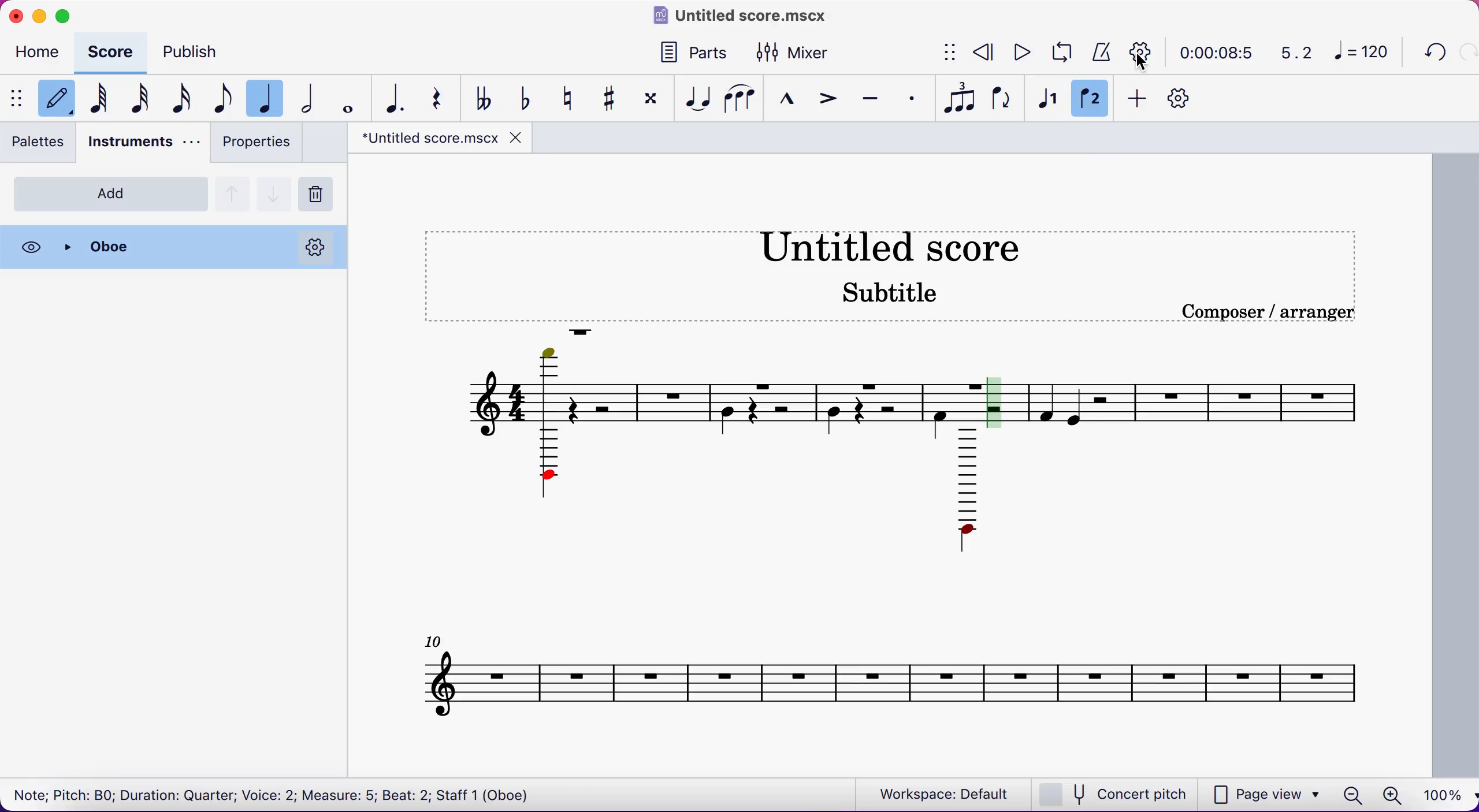 This screenshot has width=1479, height=812. I want to click on augmentation dot, so click(392, 98).